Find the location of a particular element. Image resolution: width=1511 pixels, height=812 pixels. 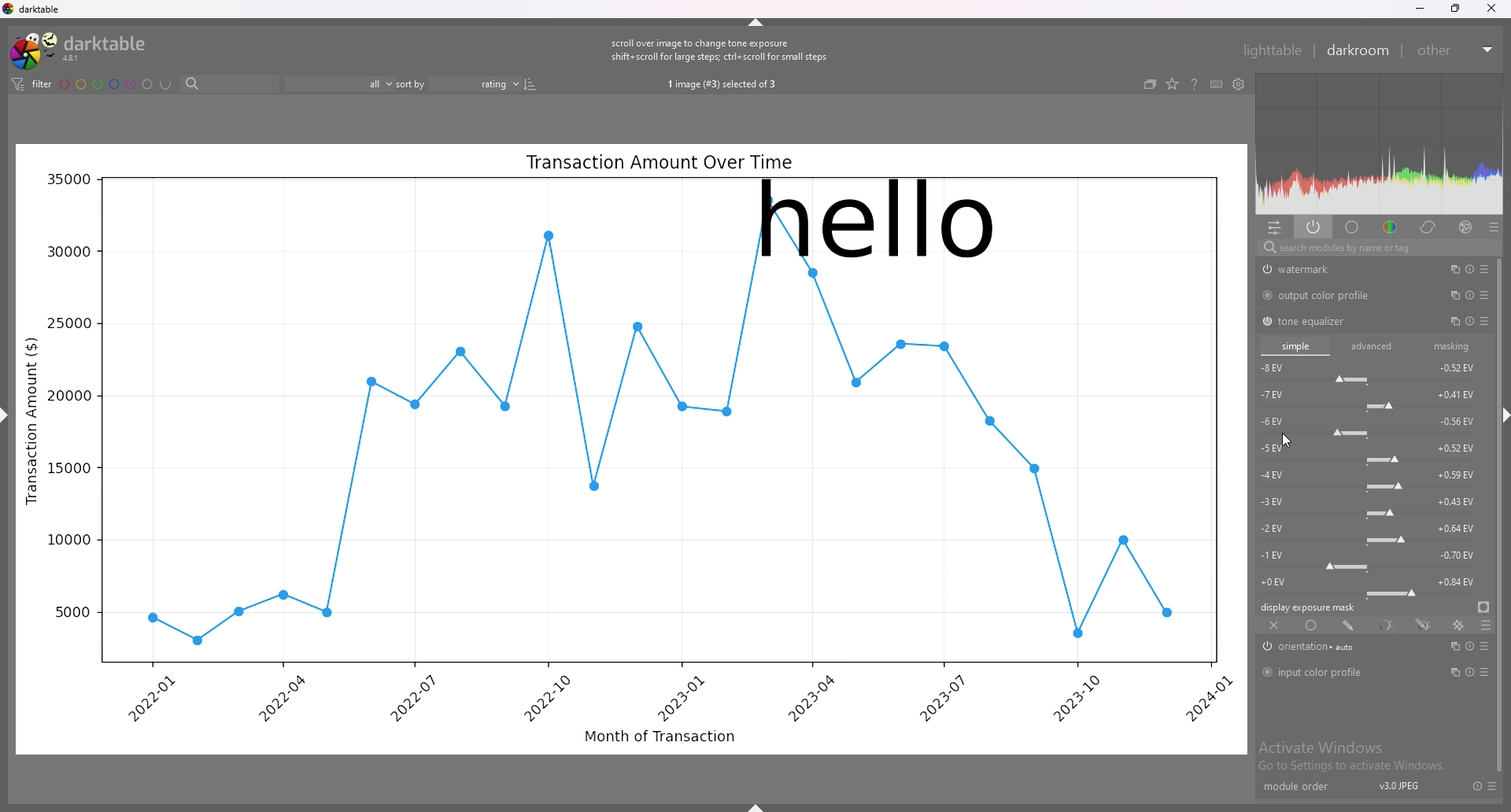

2022-10 is located at coordinates (545, 697).